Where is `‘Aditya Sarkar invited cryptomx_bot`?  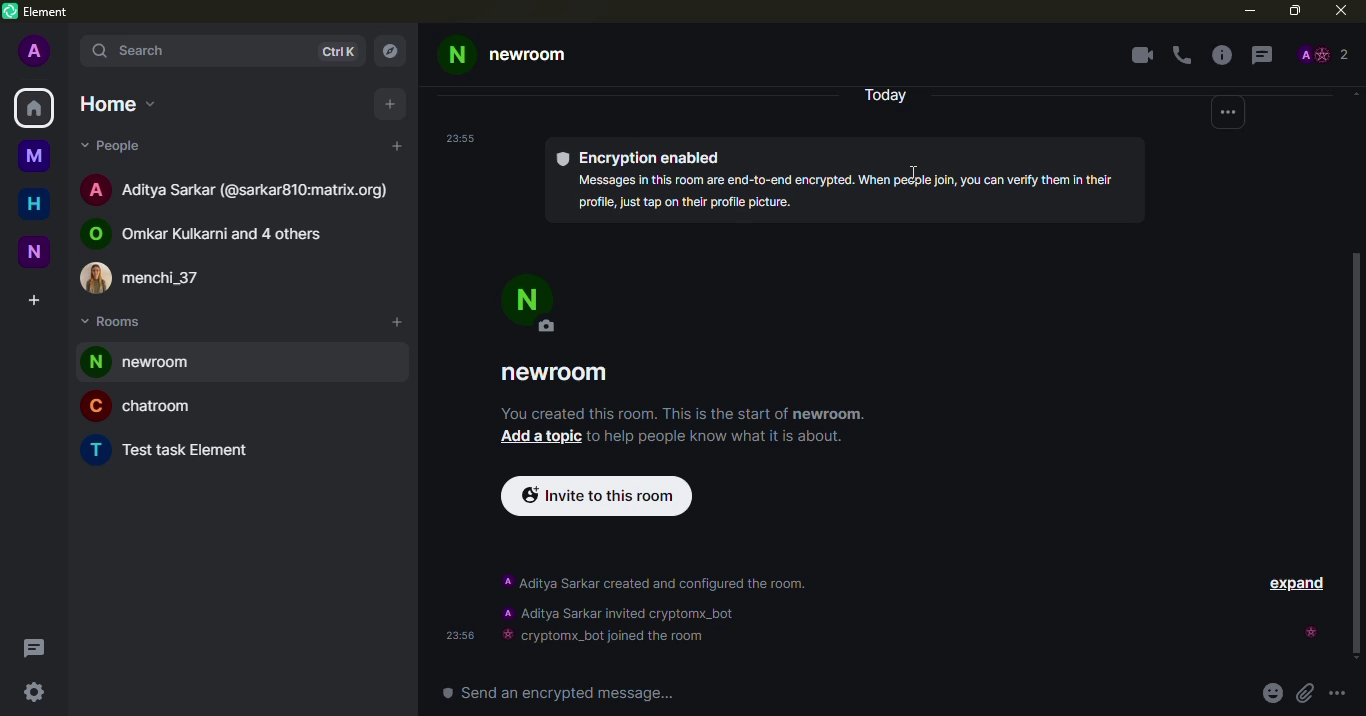
‘Aditya Sarkar invited cryptomx_bot is located at coordinates (619, 611).